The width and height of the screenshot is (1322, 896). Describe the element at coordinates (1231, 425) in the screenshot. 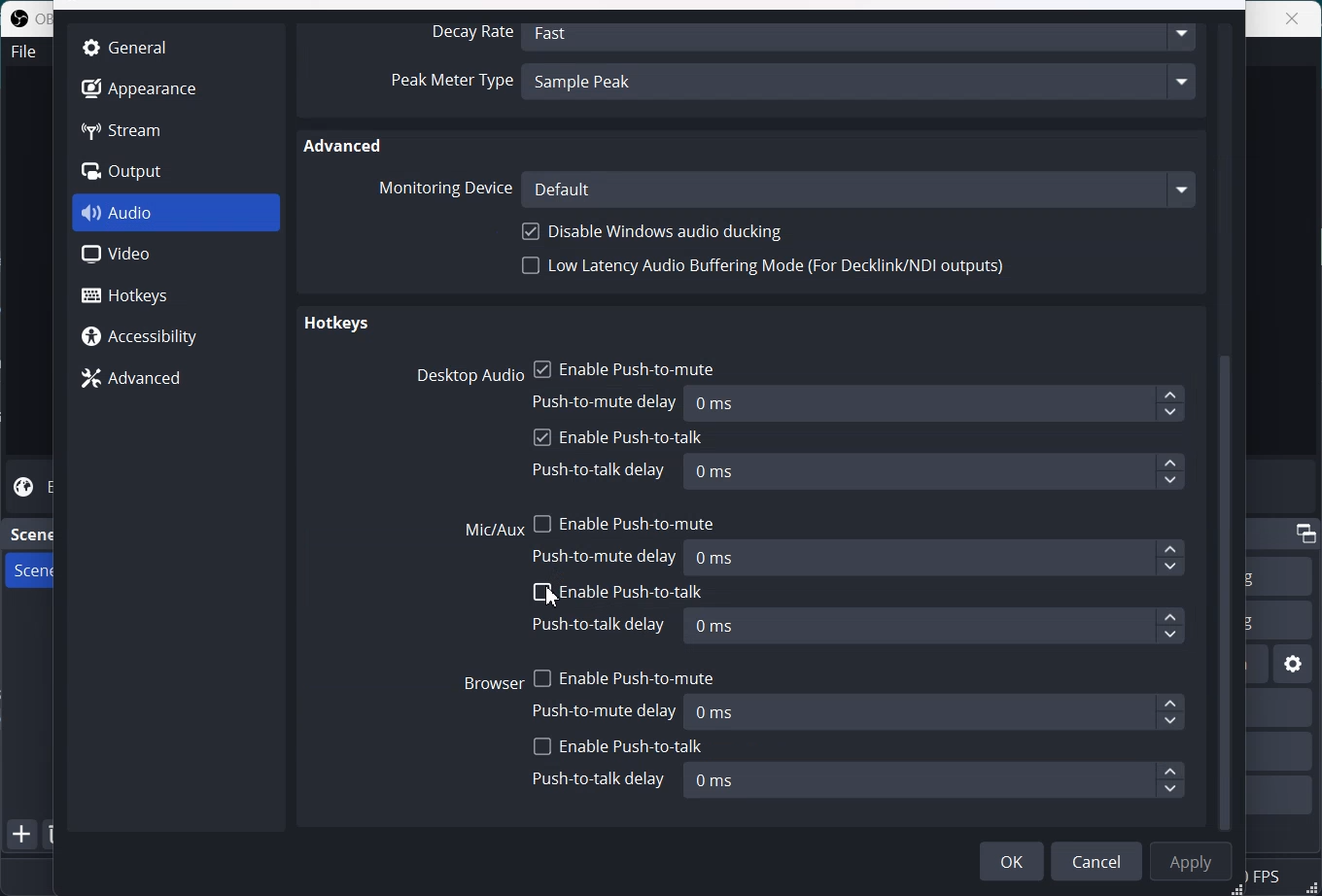

I see `Scroll bar` at that location.